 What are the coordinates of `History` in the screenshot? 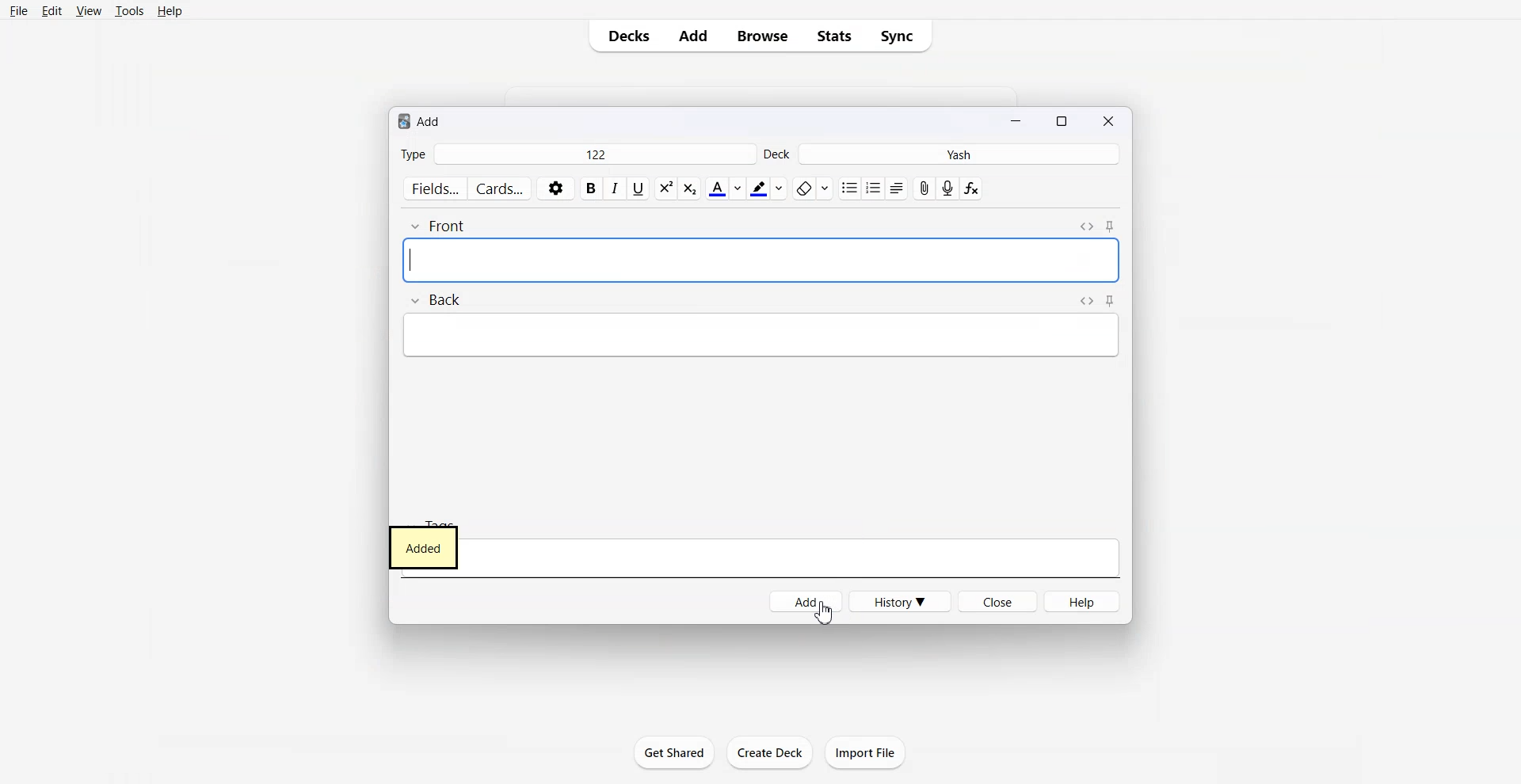 It's located at (902, 601).